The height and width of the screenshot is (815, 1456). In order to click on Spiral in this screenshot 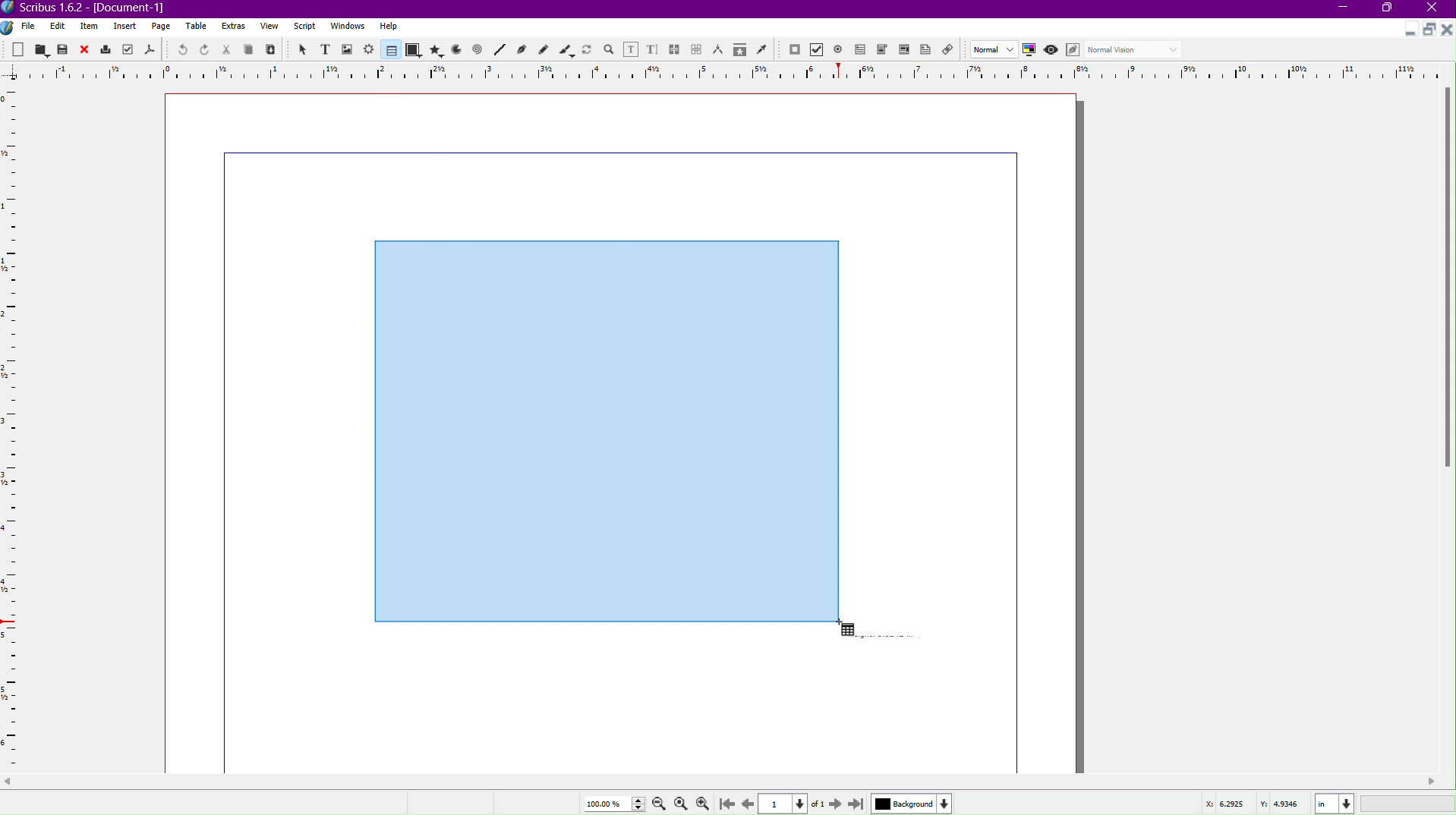, I will do `click(478, 51)`.